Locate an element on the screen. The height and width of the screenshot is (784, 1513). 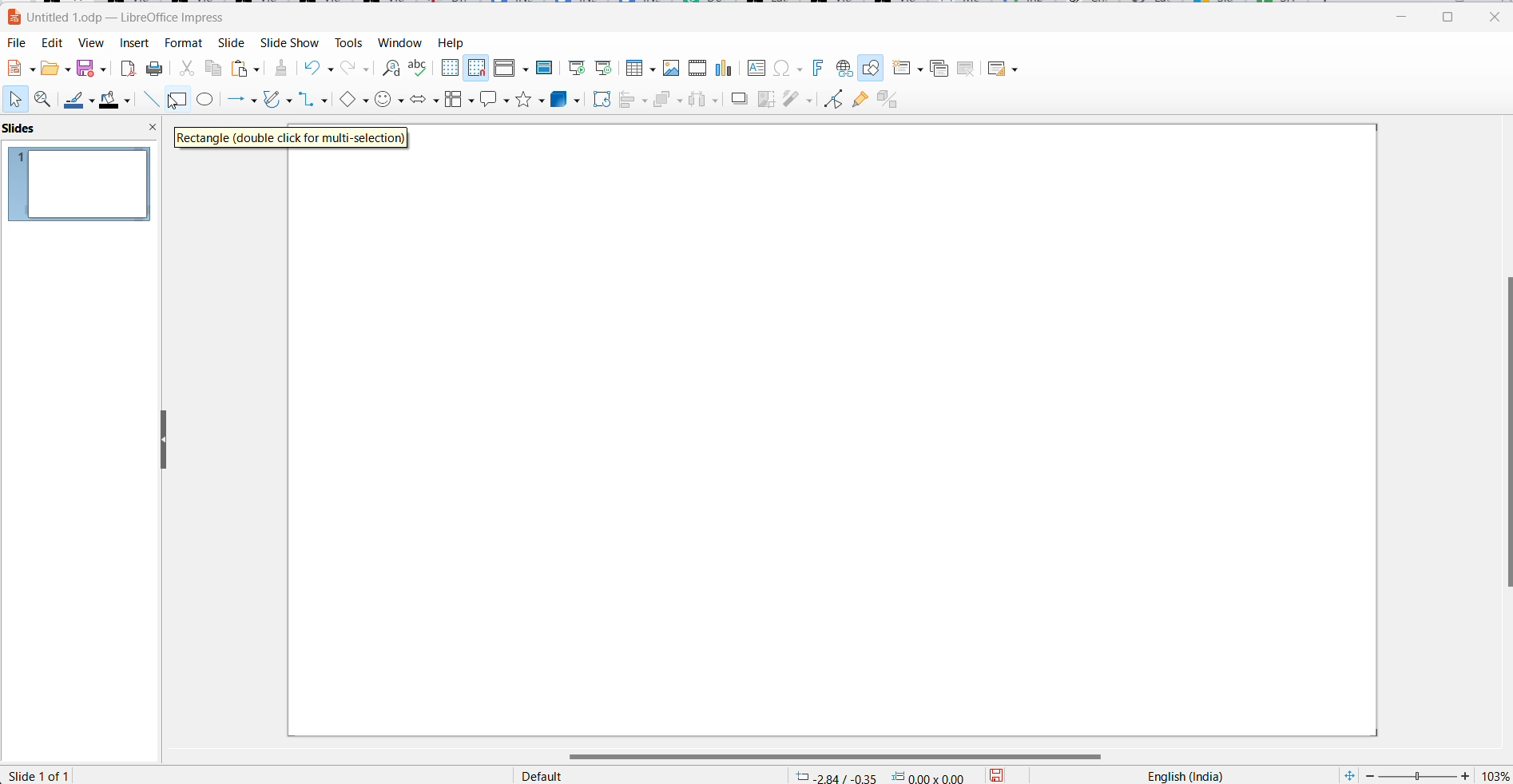
Delete slide is located at coordinates (967, 69).